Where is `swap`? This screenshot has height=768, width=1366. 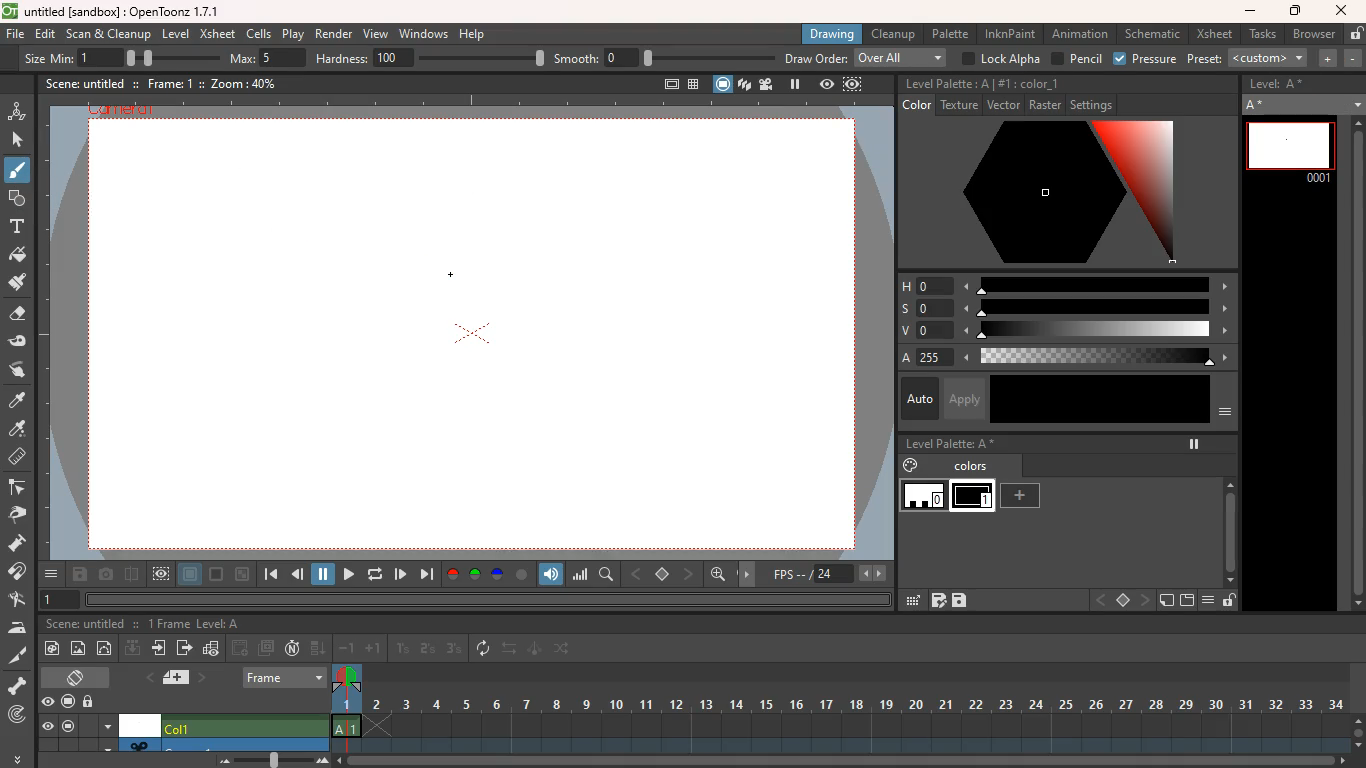 swap is located at coordinates (511, 650).